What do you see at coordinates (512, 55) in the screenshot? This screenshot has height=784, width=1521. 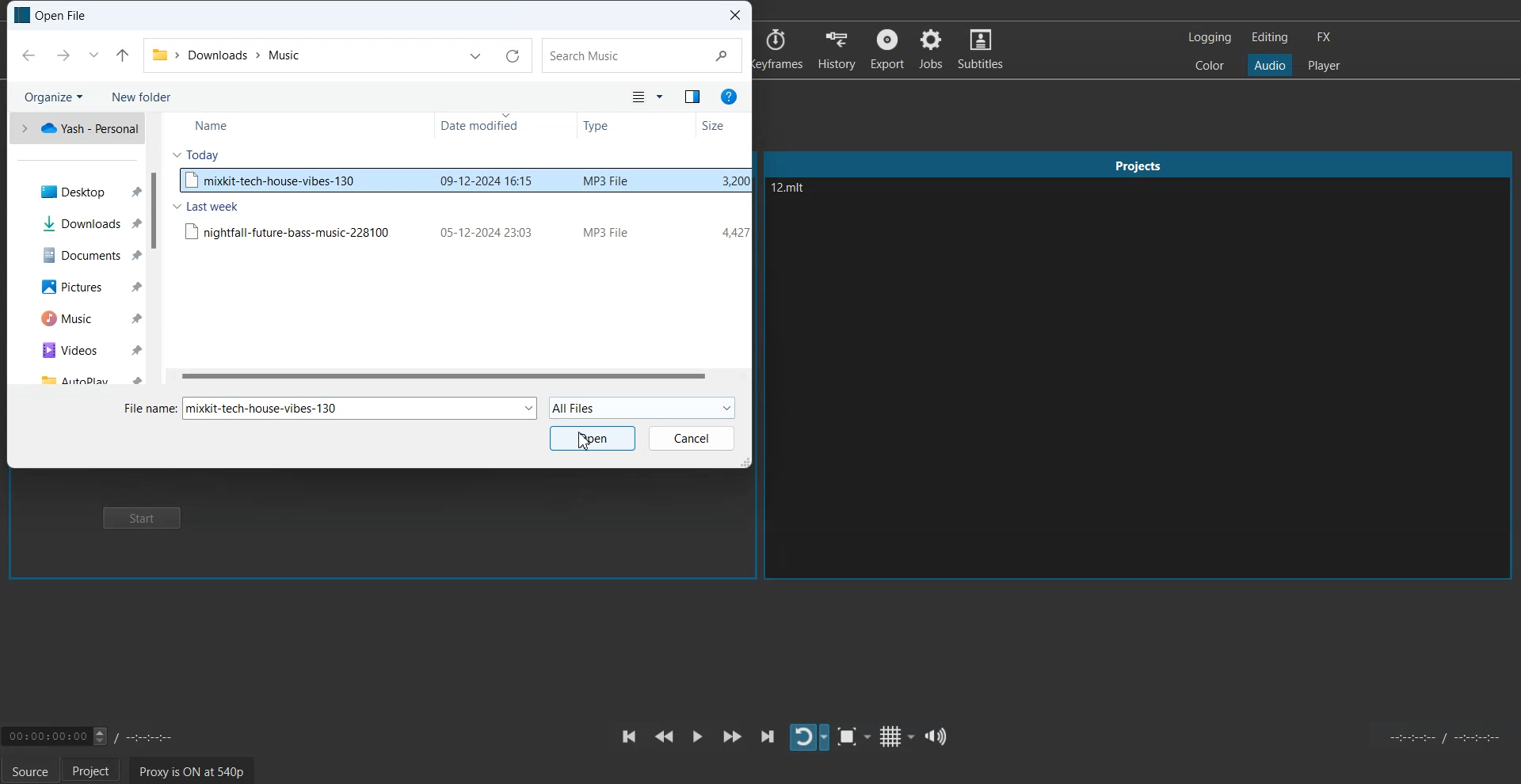 I see `Refresh file` at bounding box center [512, 55].